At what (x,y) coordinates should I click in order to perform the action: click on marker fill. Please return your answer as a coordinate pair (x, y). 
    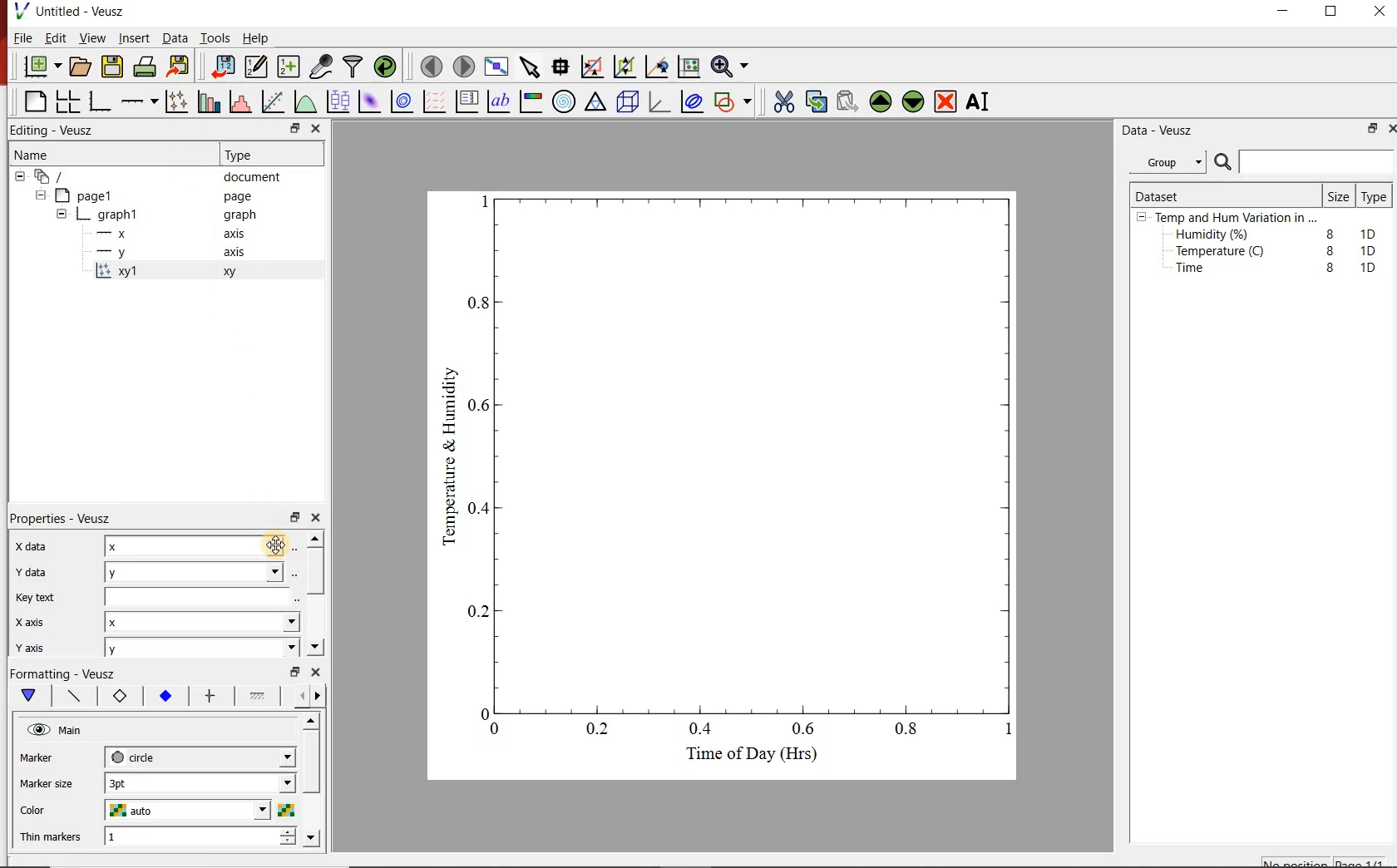
    Looking at the image, I should click on (165, 696).